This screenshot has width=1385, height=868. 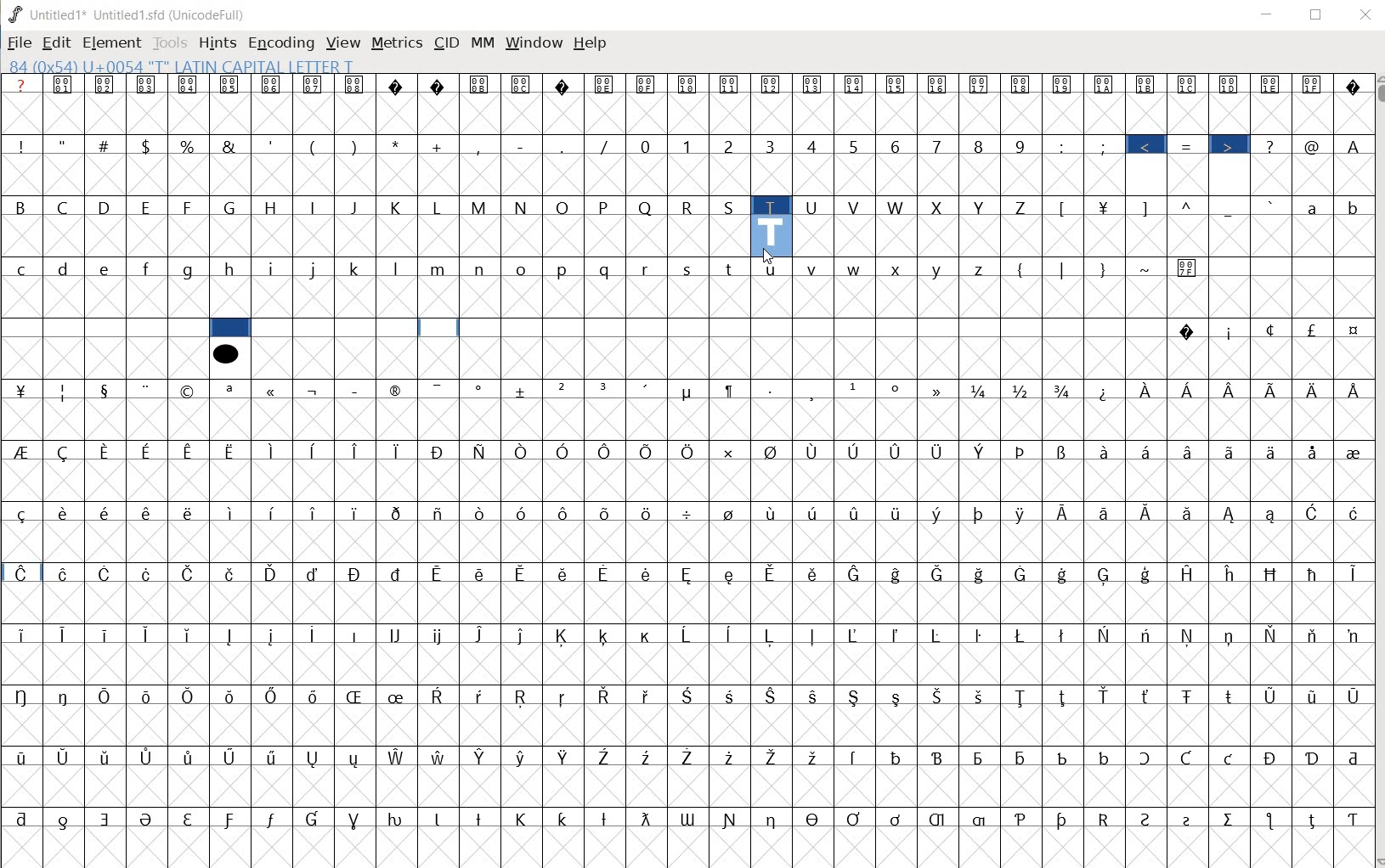 What do you see at coordinates (897, 207) in the screenshot?
I see `W` at bounding box center [897, 207].